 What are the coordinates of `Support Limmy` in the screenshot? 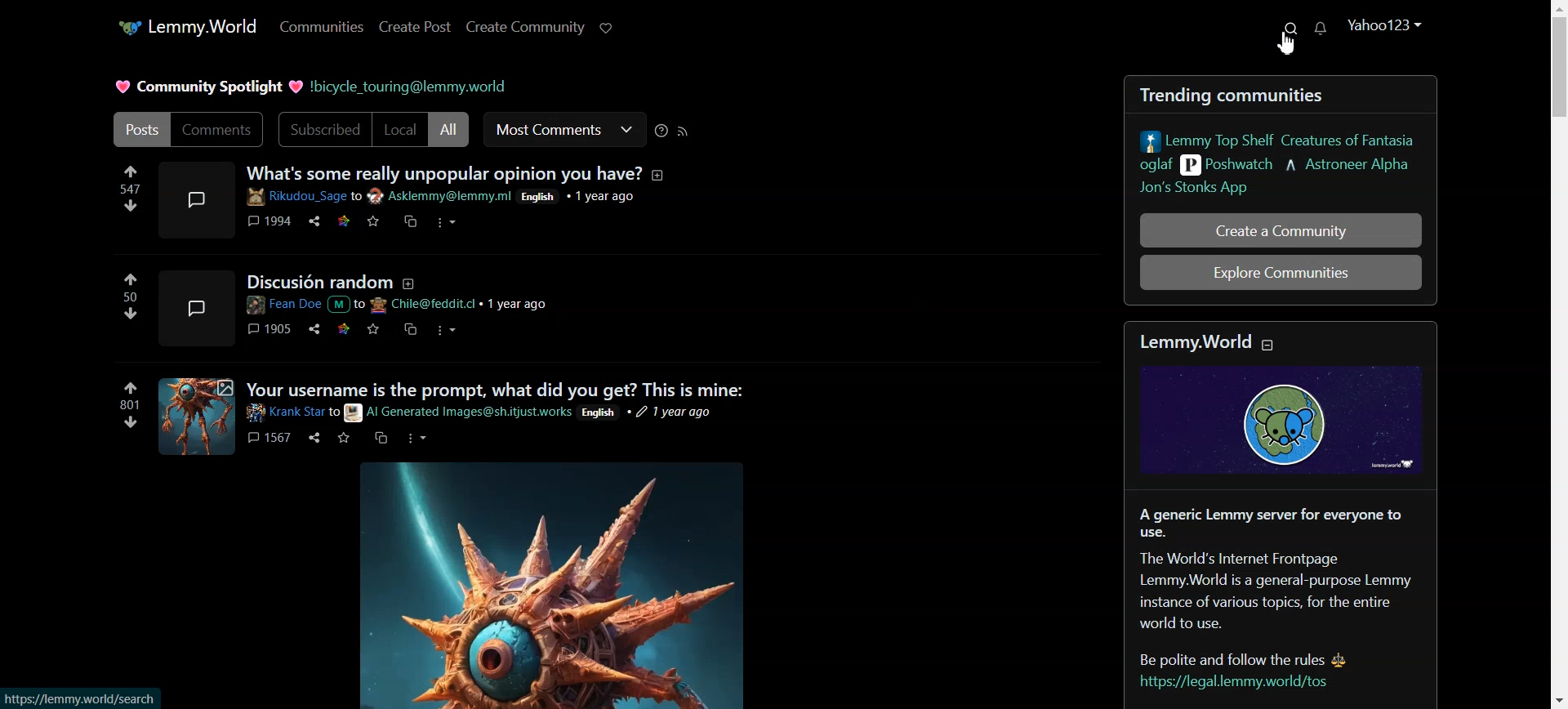 It's located at (606, 29).